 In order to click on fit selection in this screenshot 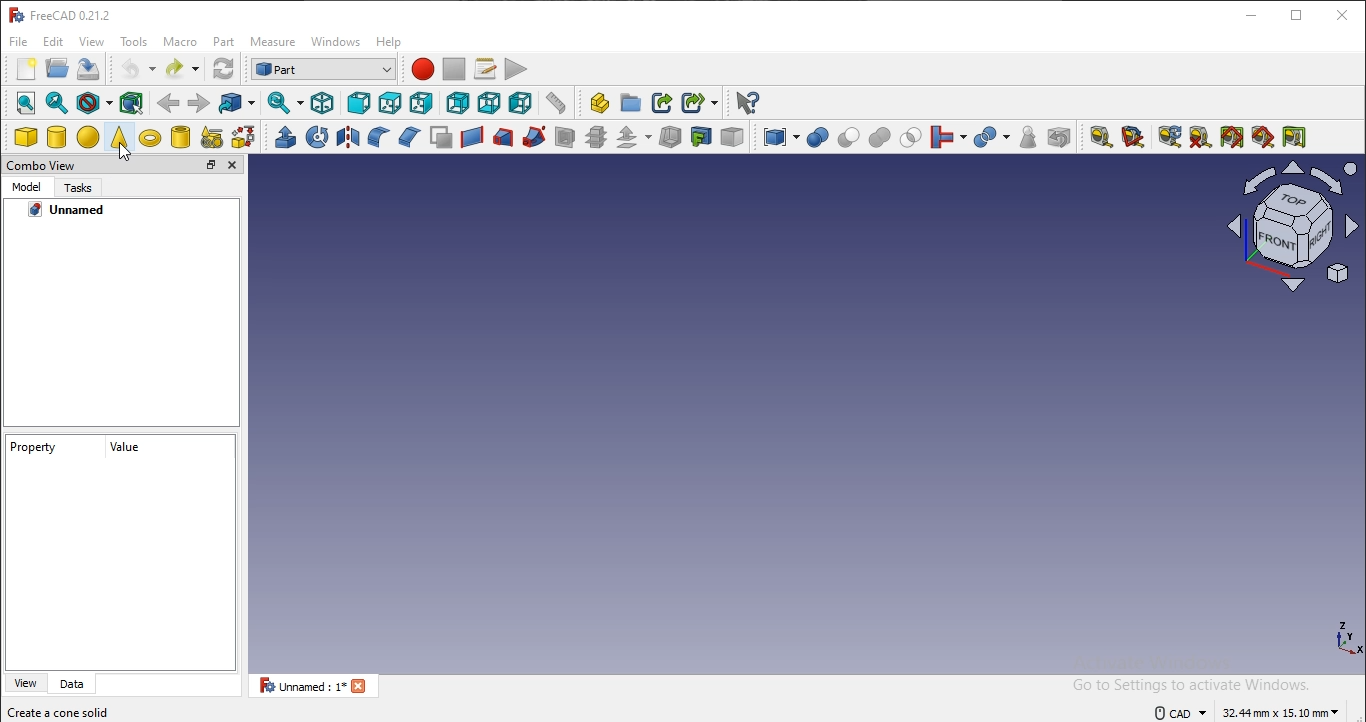, I will do `click(57, 102)`.